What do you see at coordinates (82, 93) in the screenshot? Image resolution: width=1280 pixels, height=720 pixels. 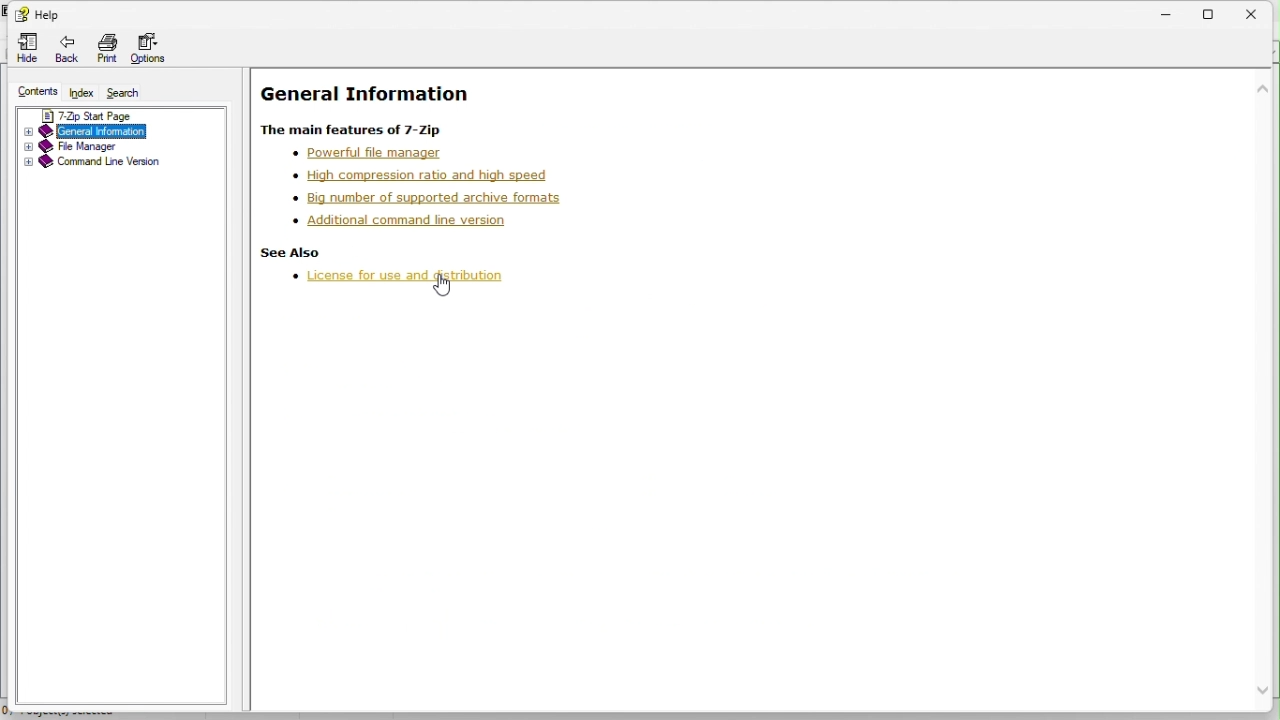 I see `index` at bounding box center [82, 93].